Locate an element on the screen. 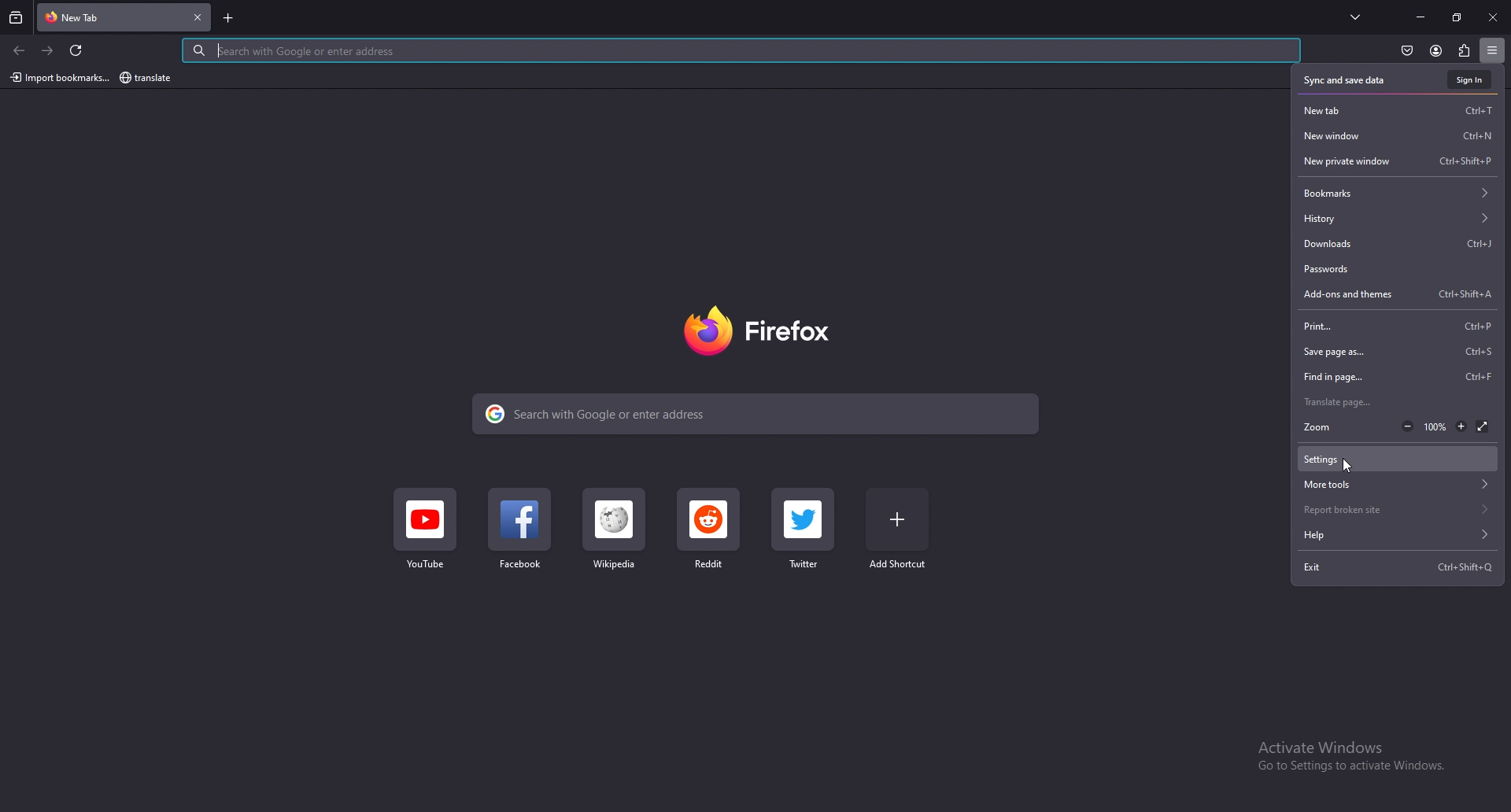 The height and width of the screenshot is (812, 1511). add shortcut is located at coordinates (899, 532).